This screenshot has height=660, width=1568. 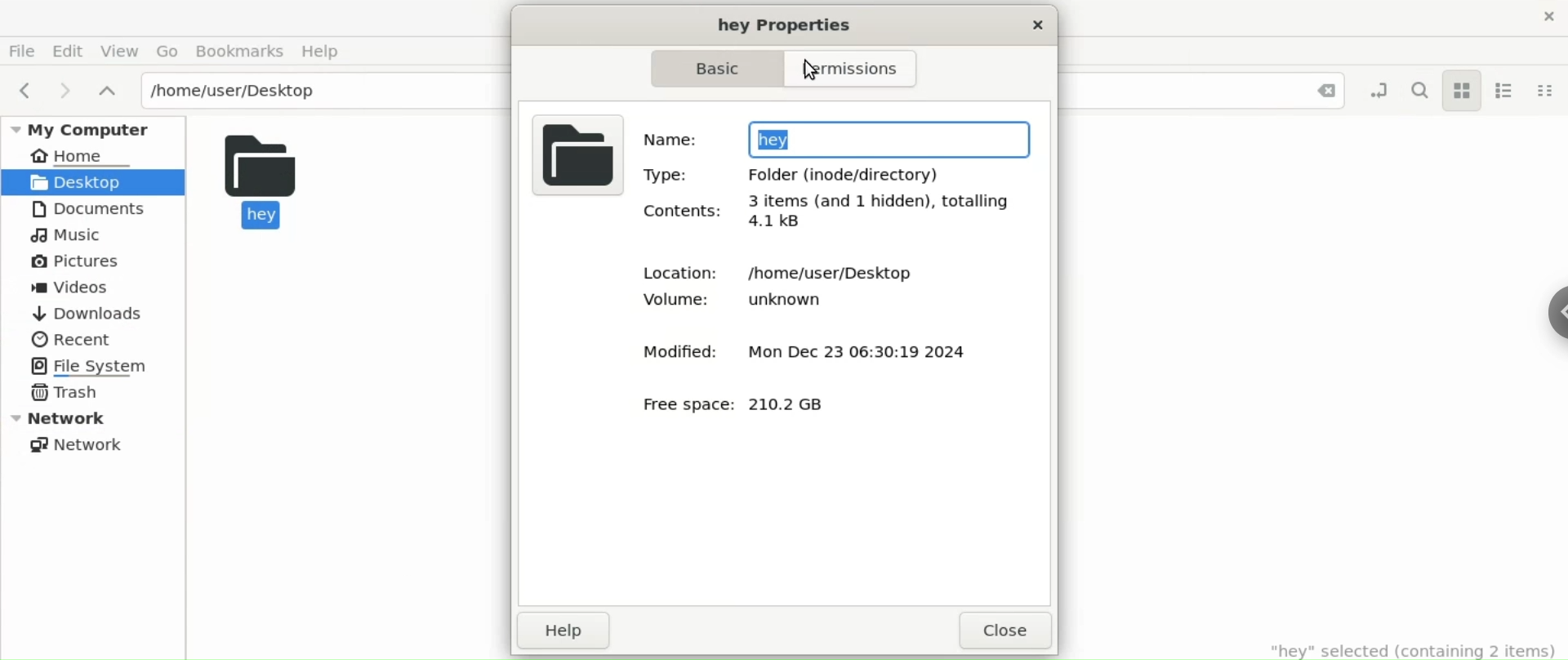 I want to click on Downloads, so click(x=91, y=313).